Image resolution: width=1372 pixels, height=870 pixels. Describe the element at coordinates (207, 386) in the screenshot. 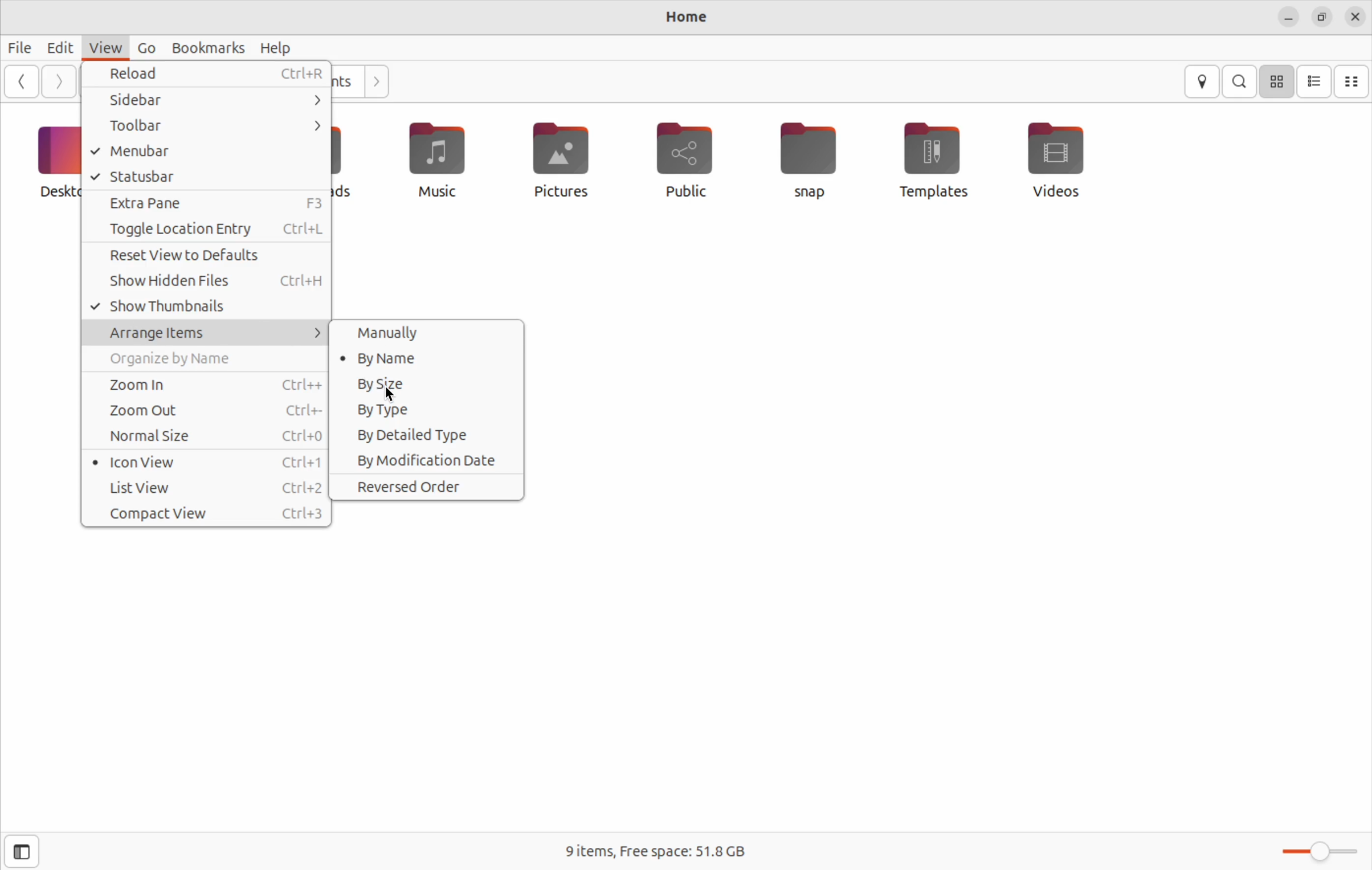

I see `zoom in ` at that location.